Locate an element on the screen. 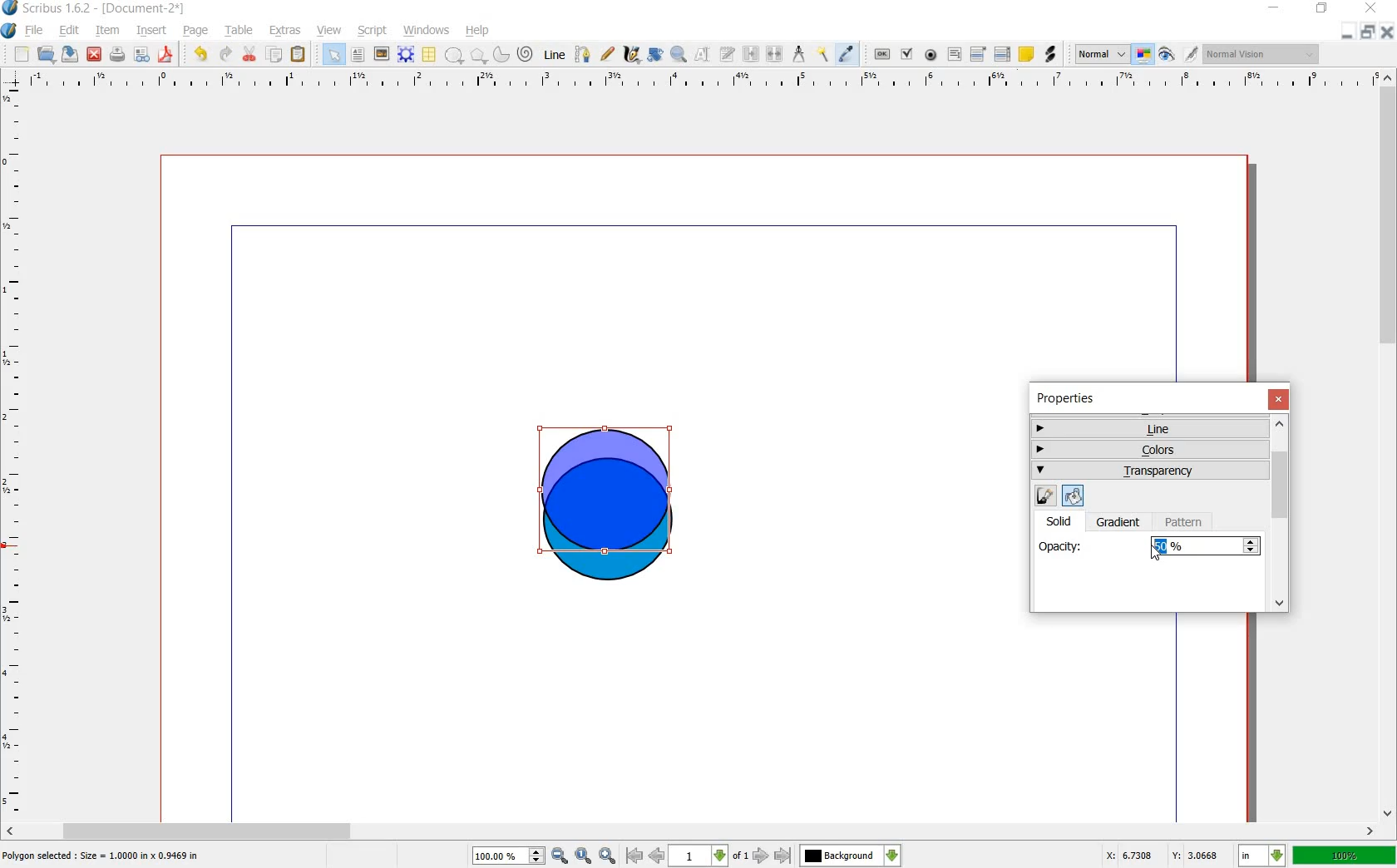 The image size is (1397, 868). copy item properties is located at coordinates (823, 56).